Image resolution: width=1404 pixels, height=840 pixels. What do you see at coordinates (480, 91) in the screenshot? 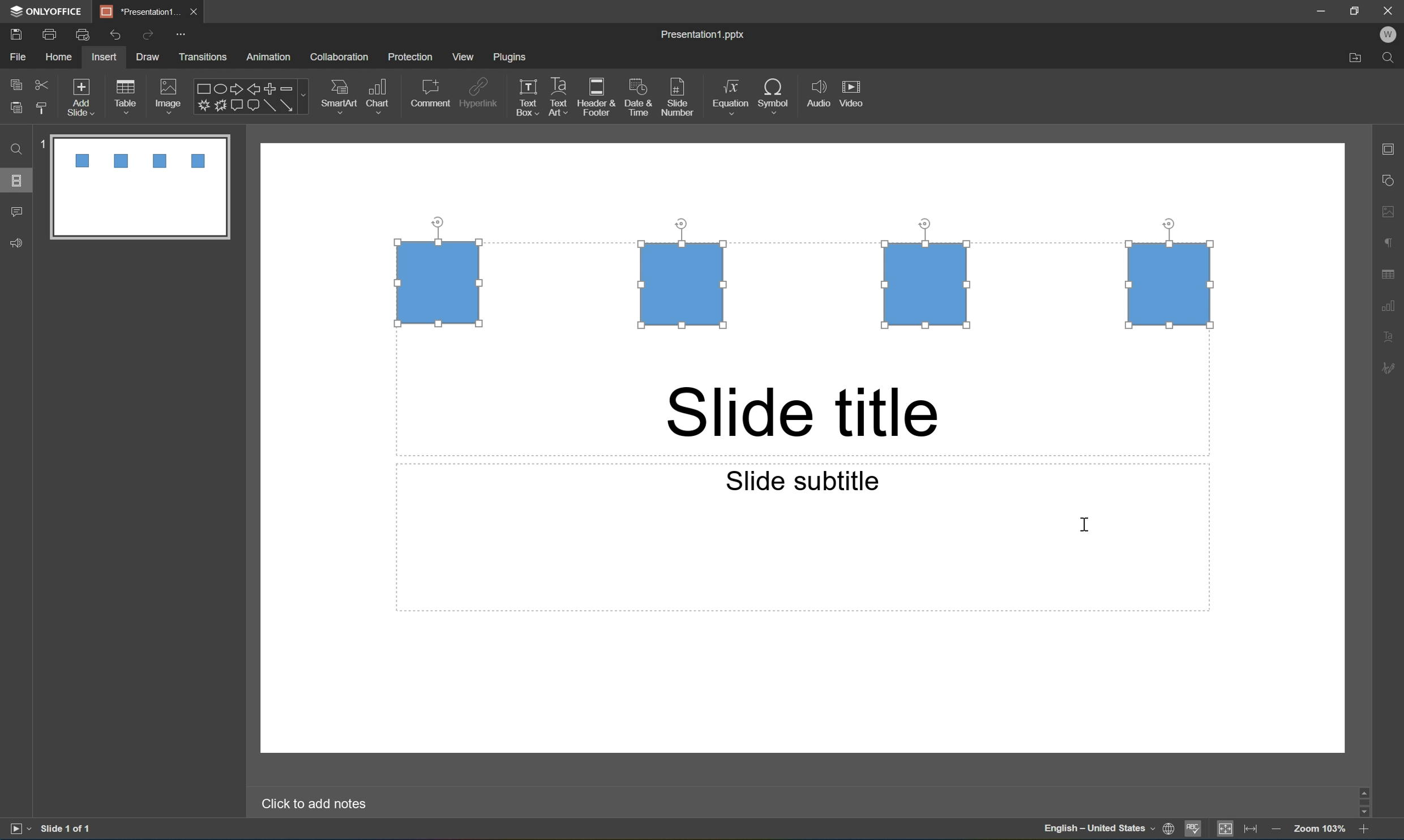
I see `hyperlink` at bounding box center [480, 91].